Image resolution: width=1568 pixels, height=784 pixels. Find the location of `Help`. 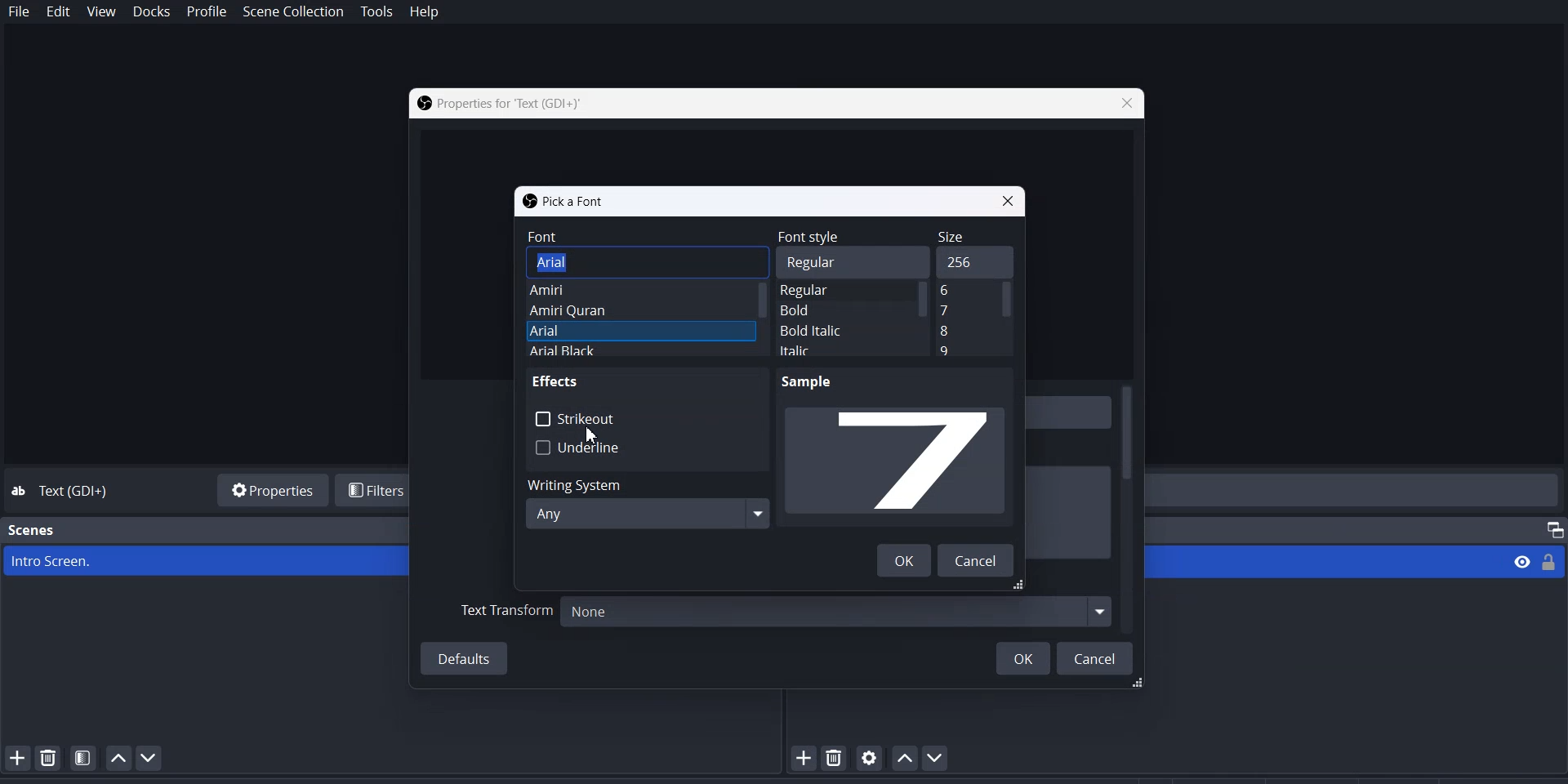

Help is located at coordinates (424, 13).